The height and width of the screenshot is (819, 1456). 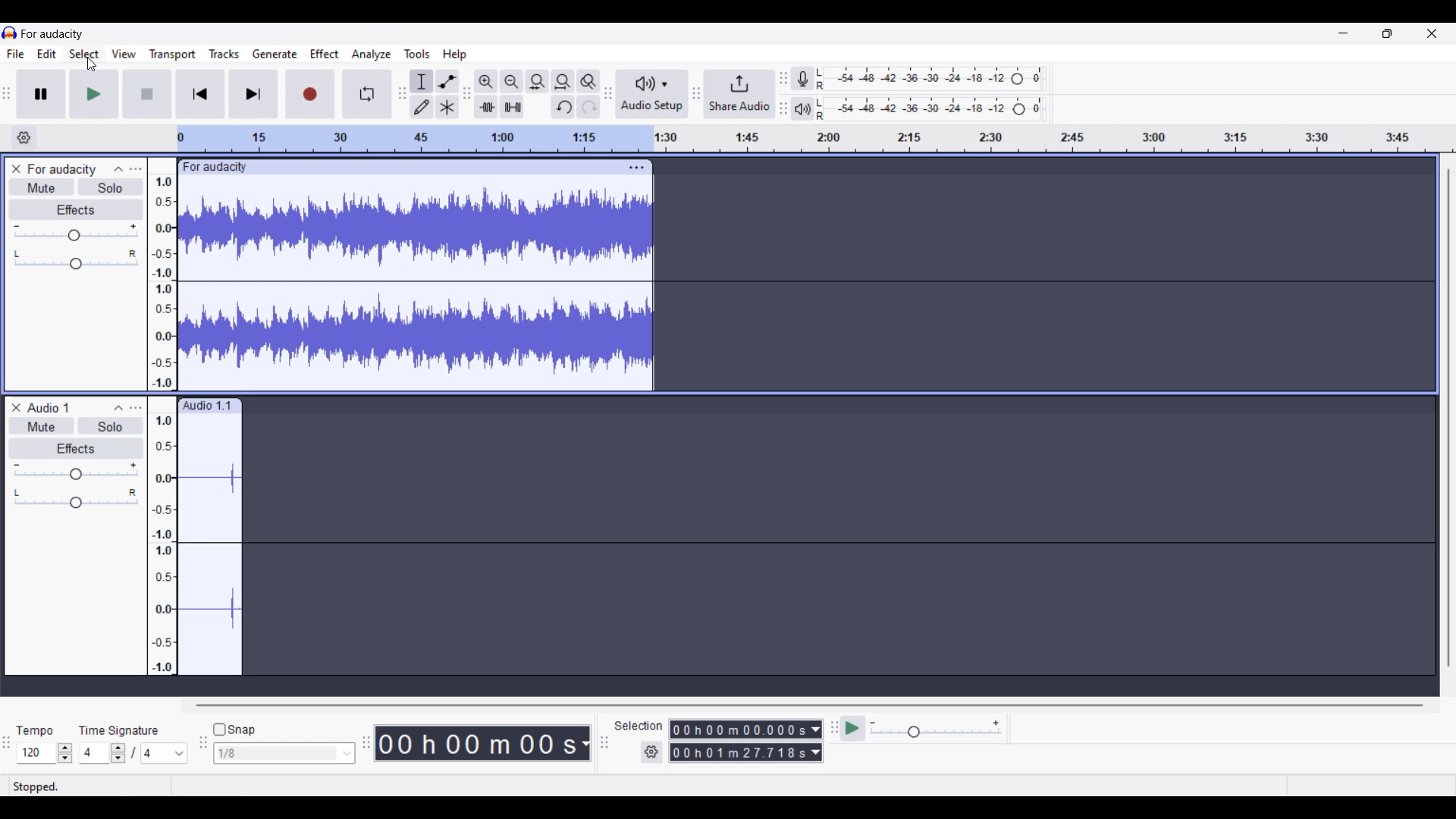 What do you see at coordinates (366, 94) in the screenshot?
I see `Enable looping` at bounding box center [366, 94].